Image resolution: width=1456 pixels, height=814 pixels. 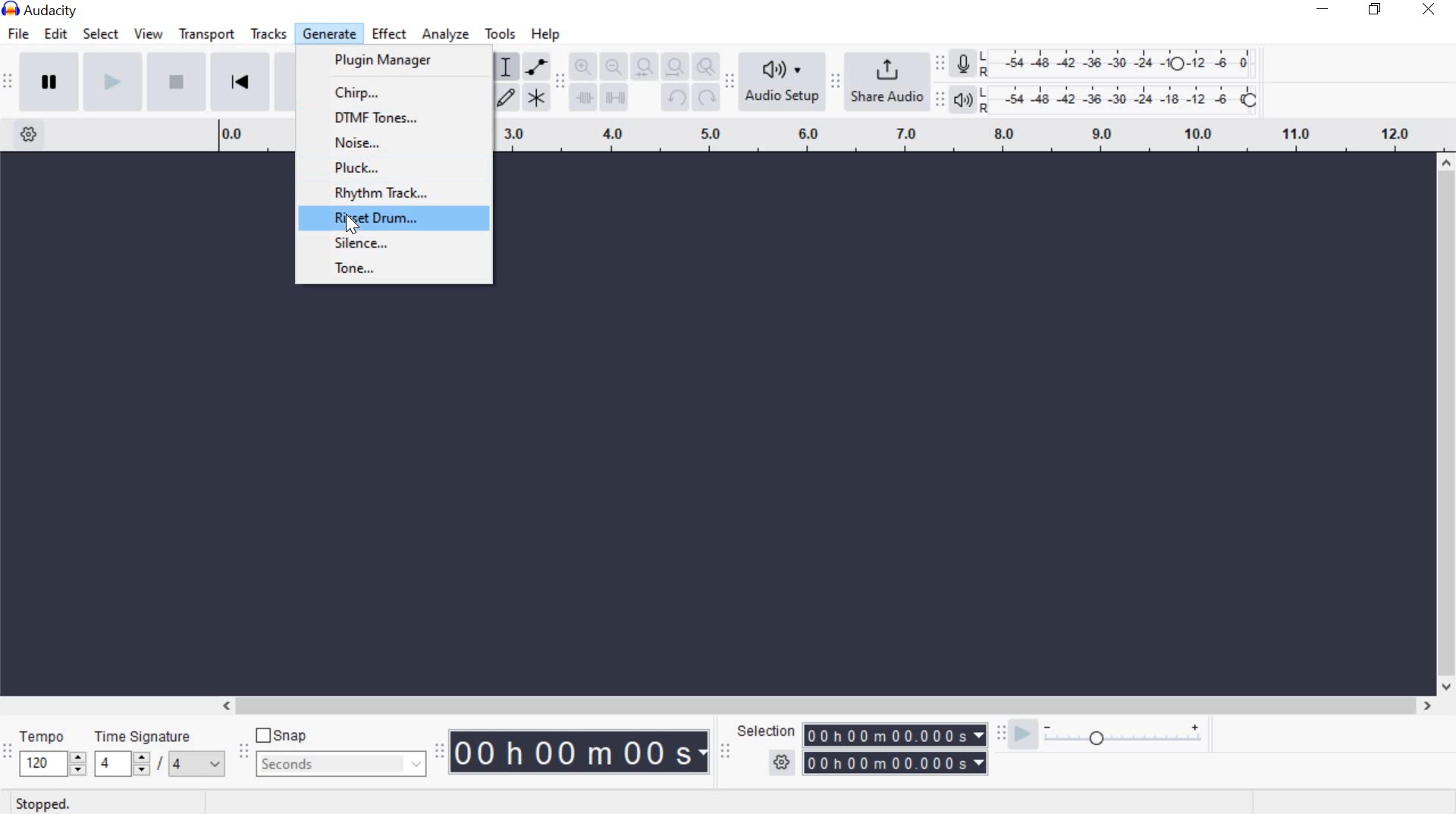 What do you see at coordinates (397, 167) in the screenshot?
I see `pluck` at bounding box center [397, 167].